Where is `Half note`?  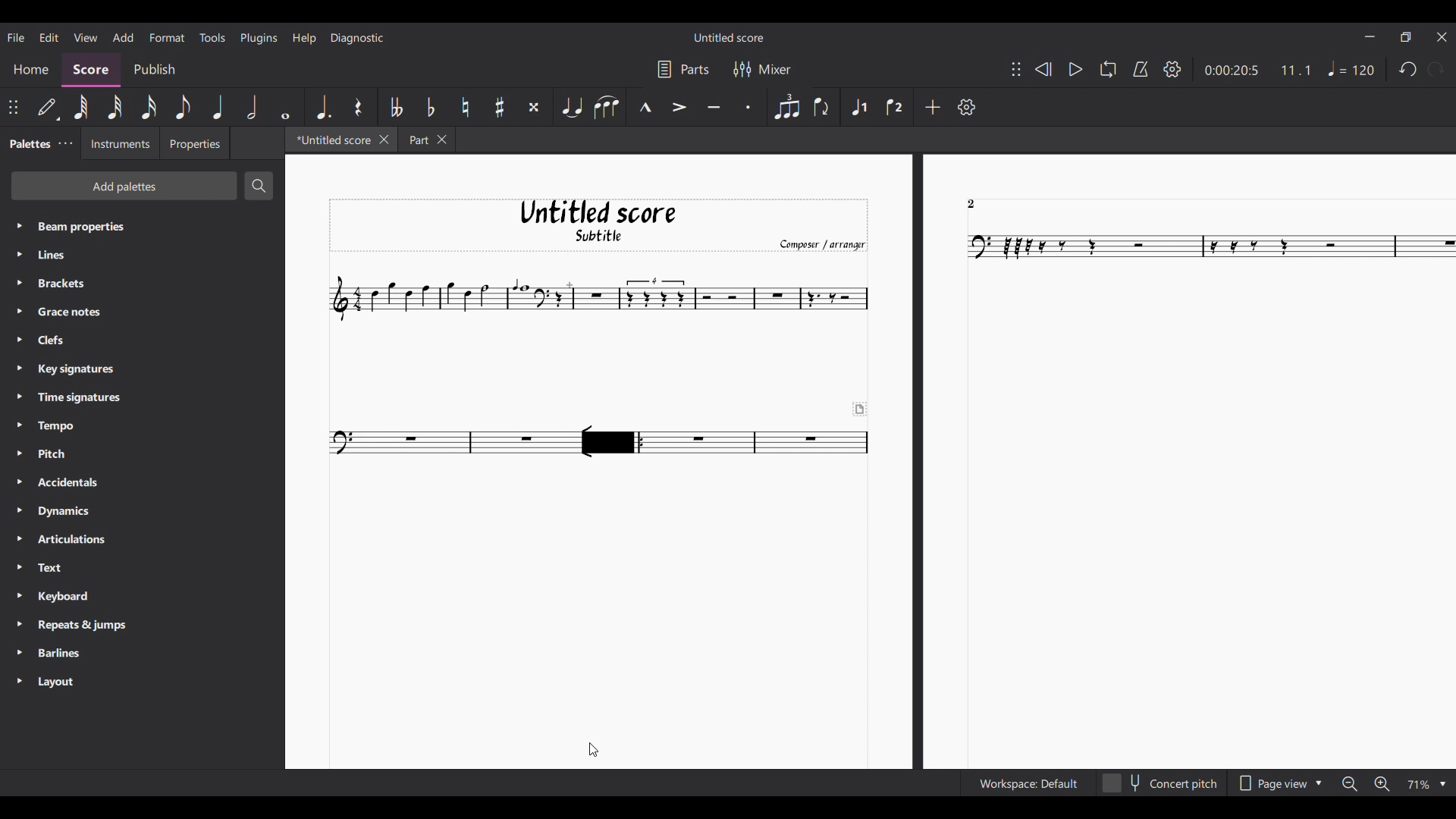 Half note is located at coordinates (252, 107).